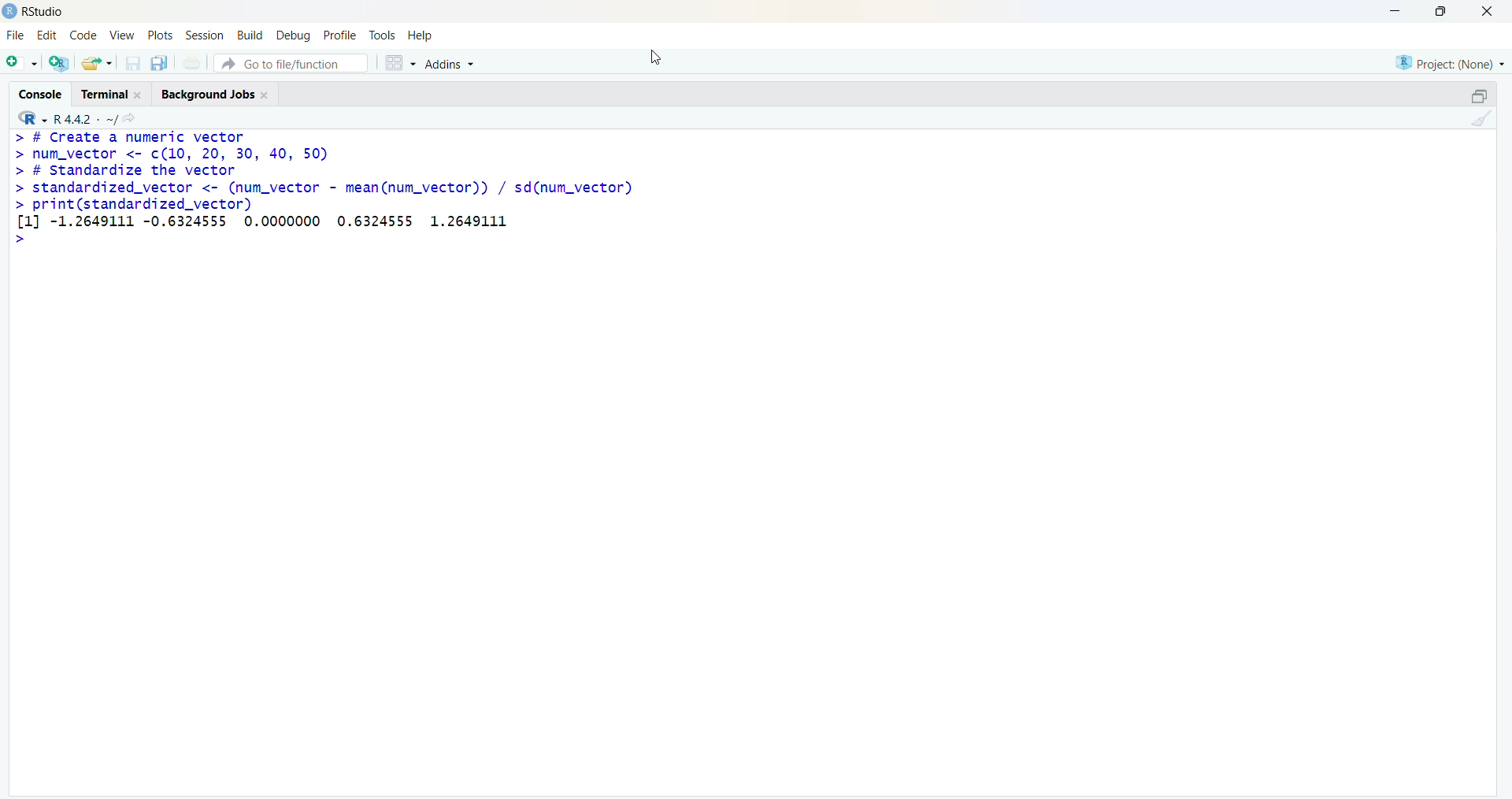 The height and width of the screenshot is (799, 1512). I want to click on debug, so click(295, 36).